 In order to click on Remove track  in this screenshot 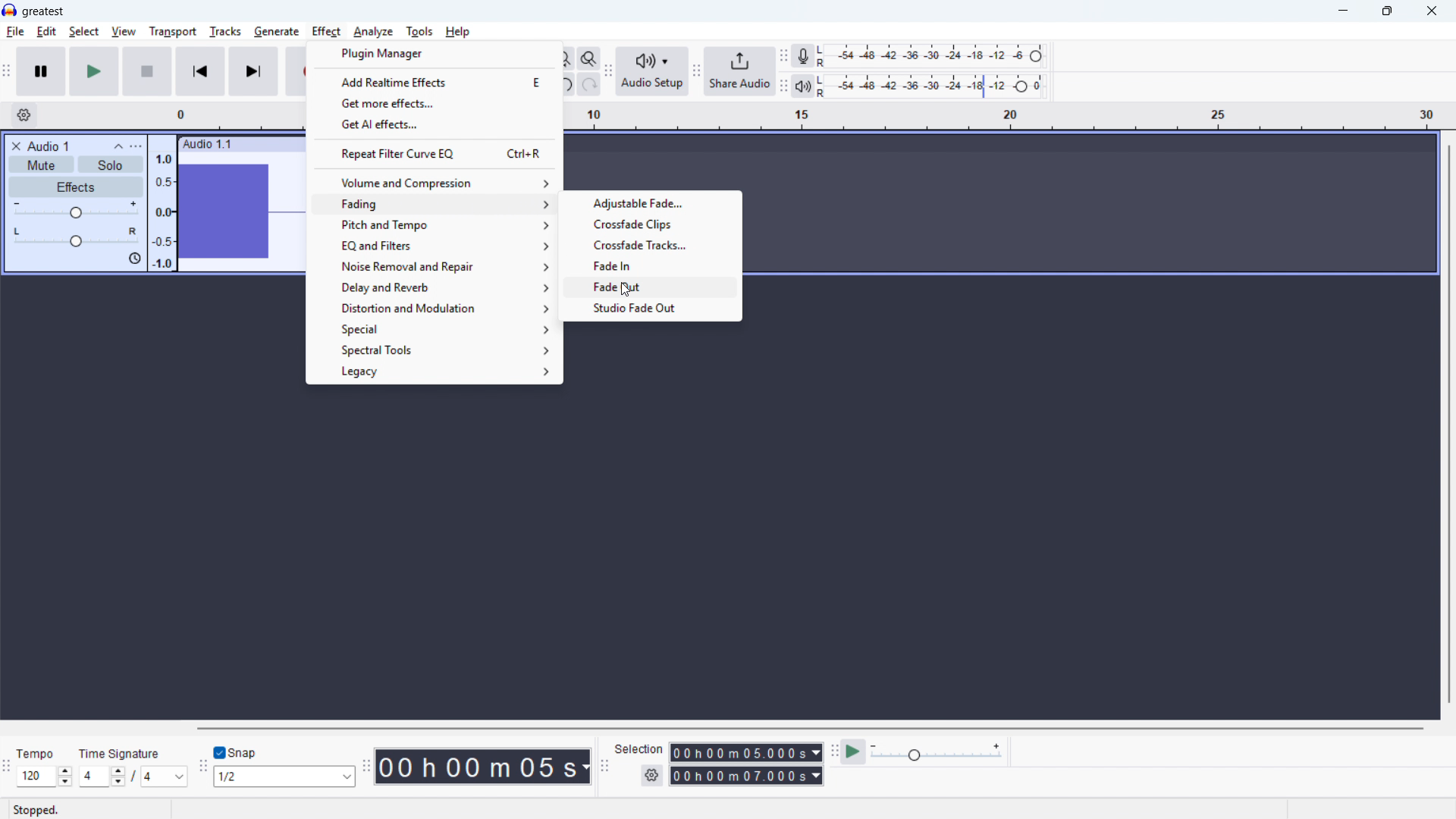, I will do `click(17, 146)`.